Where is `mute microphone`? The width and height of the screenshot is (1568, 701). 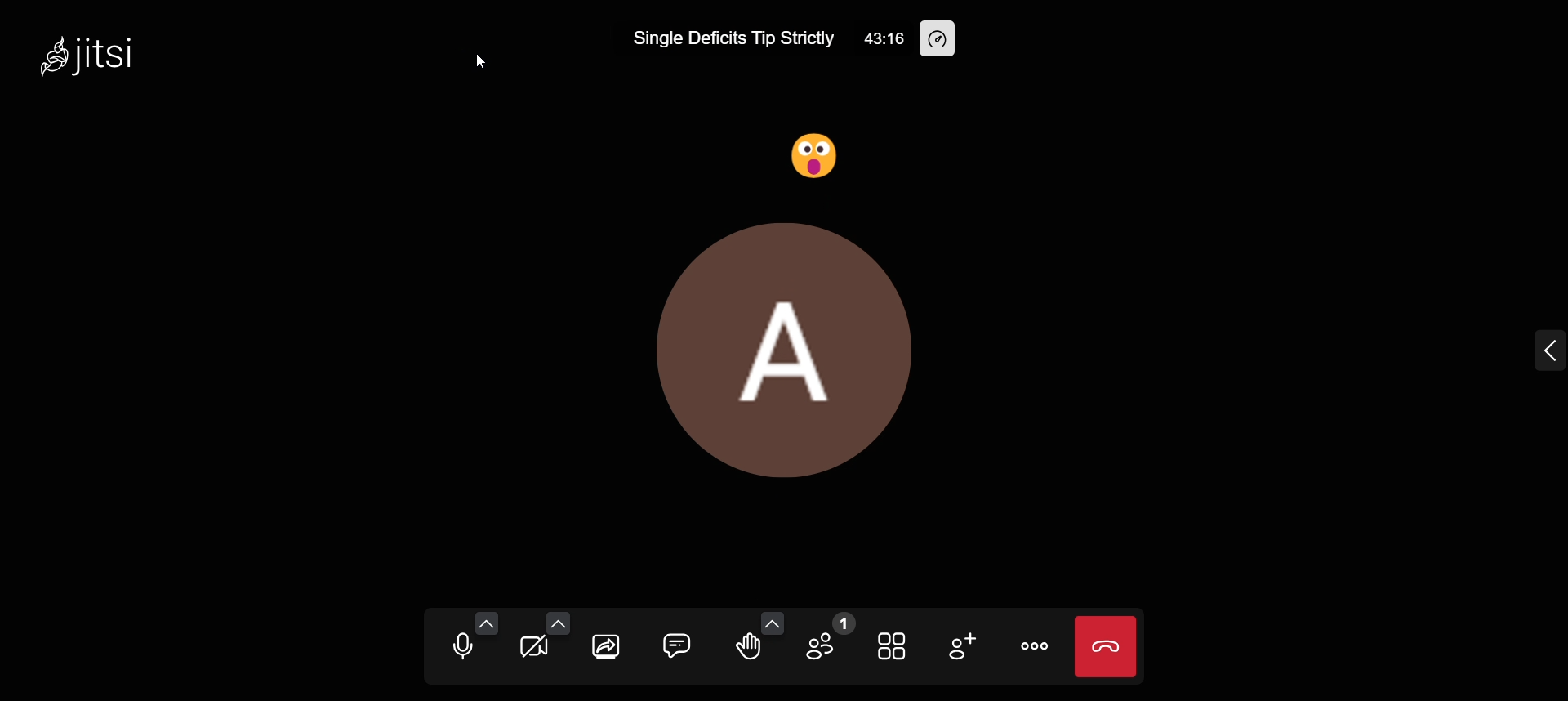 mute microphone is located at coordinates (461, 650).